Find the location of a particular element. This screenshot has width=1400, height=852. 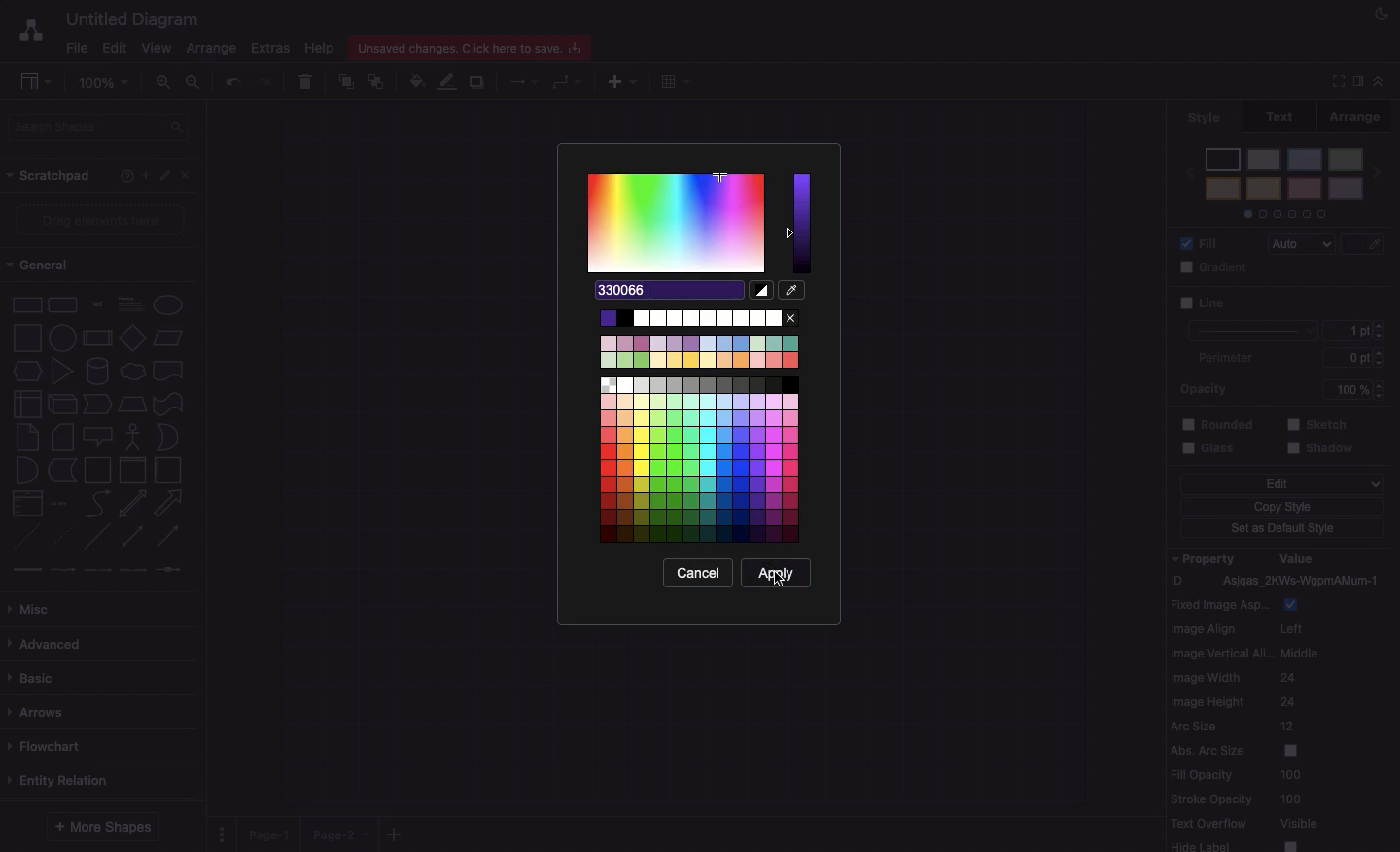

Draw.io is located at coordinates (30, 29).